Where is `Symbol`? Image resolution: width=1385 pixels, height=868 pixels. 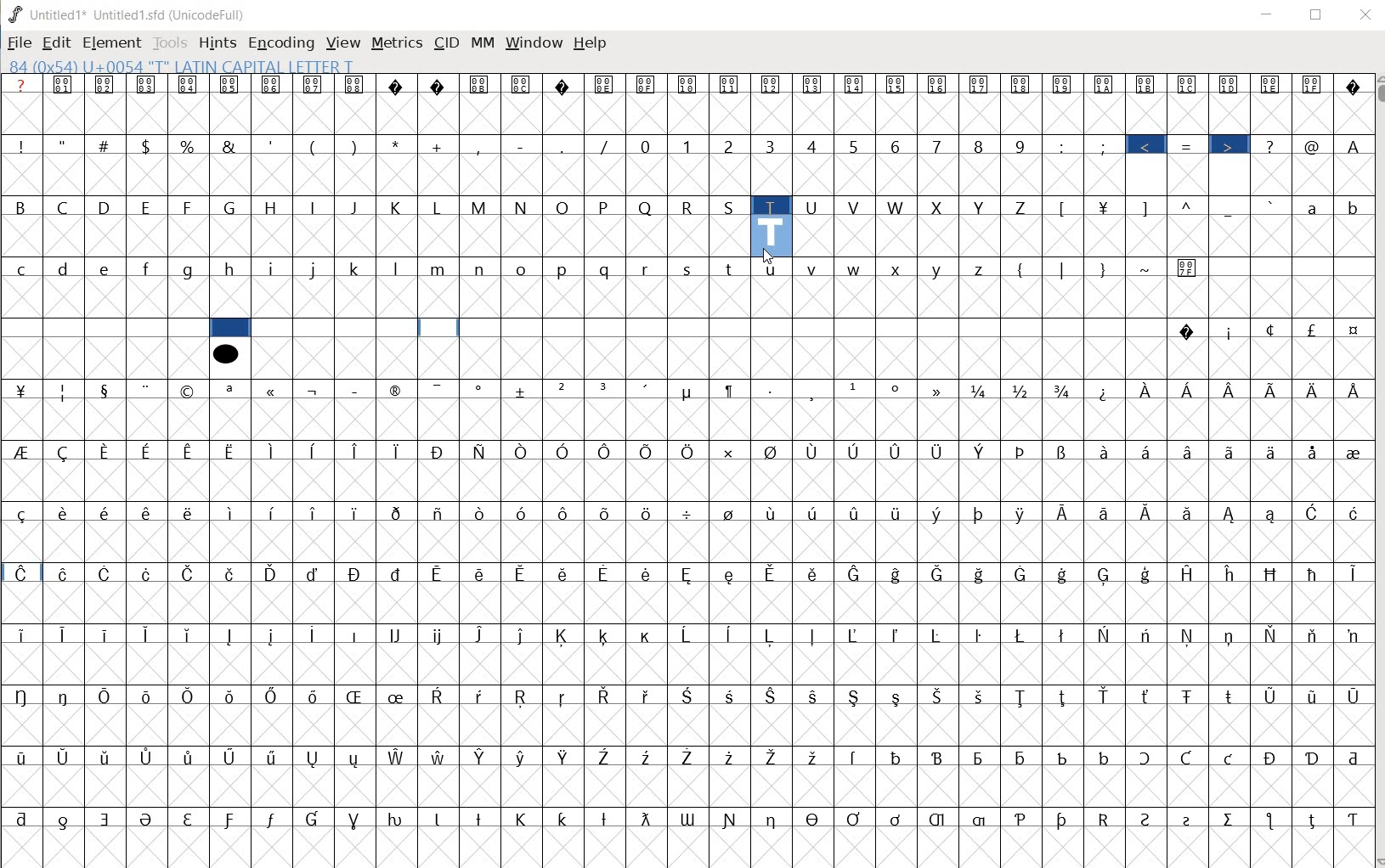
Symbol is located at coordinates (772, 85).